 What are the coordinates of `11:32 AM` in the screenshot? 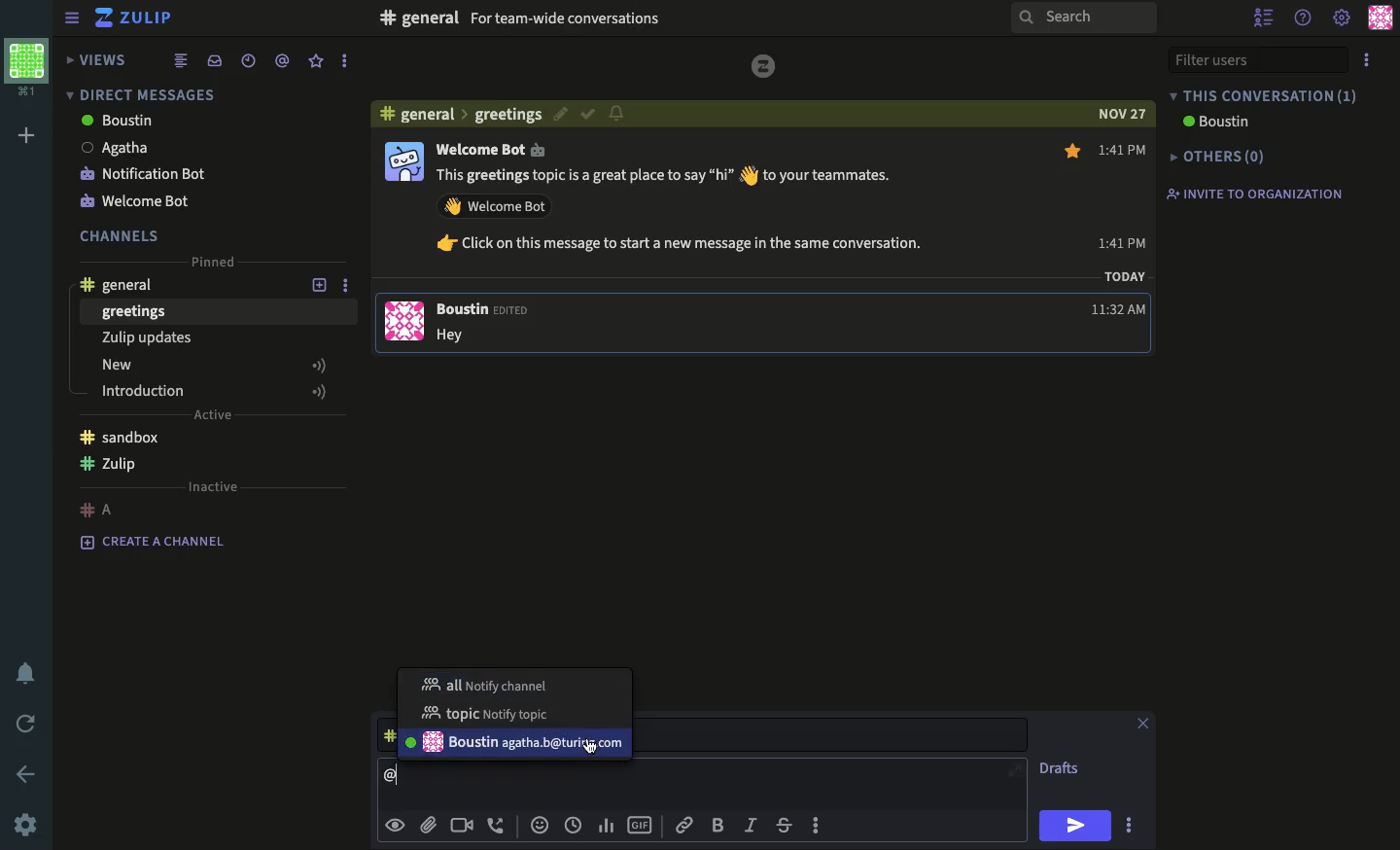 It's located at (1121, 310).